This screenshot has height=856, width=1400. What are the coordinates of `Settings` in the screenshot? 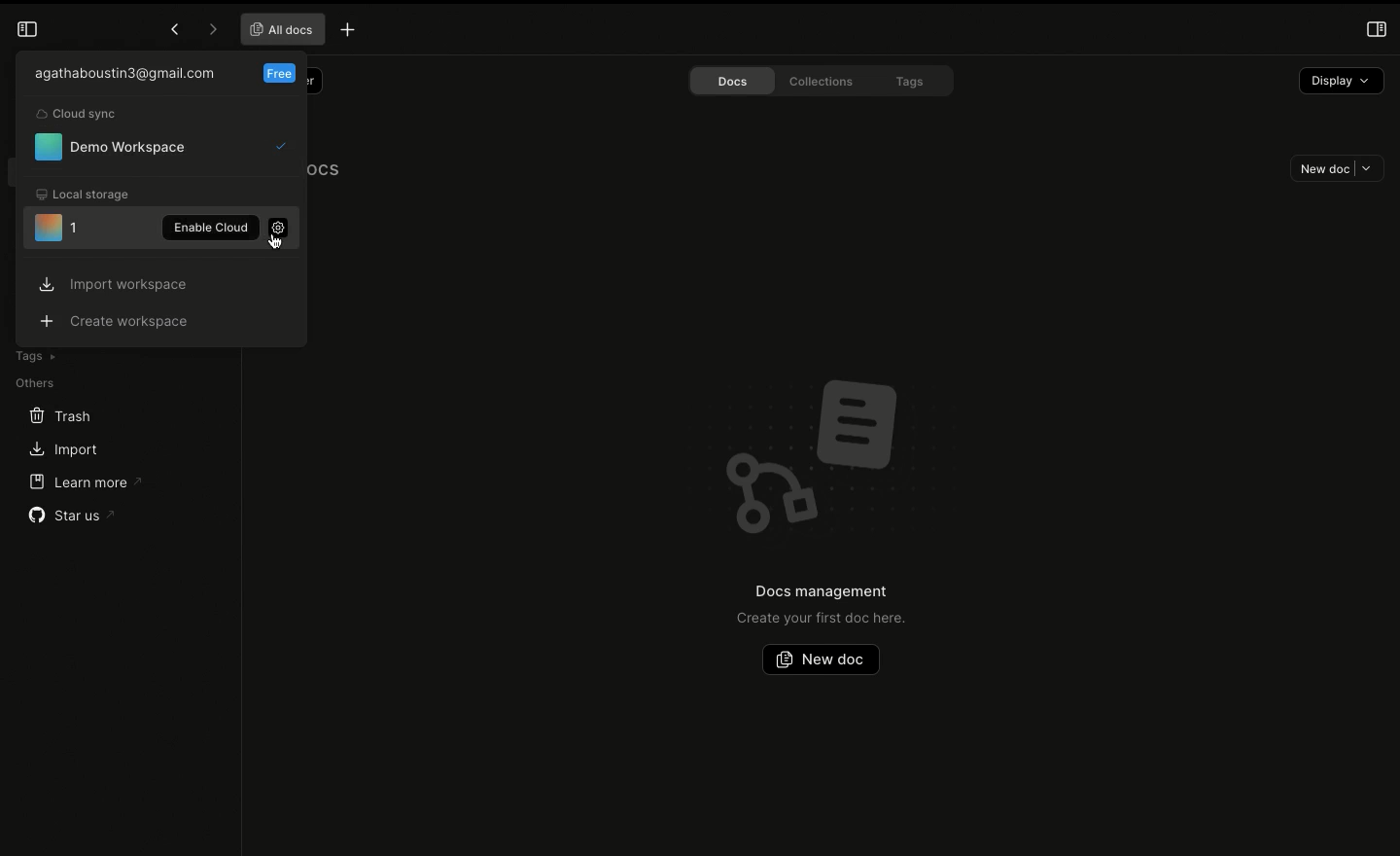 It's located at (277, 232).